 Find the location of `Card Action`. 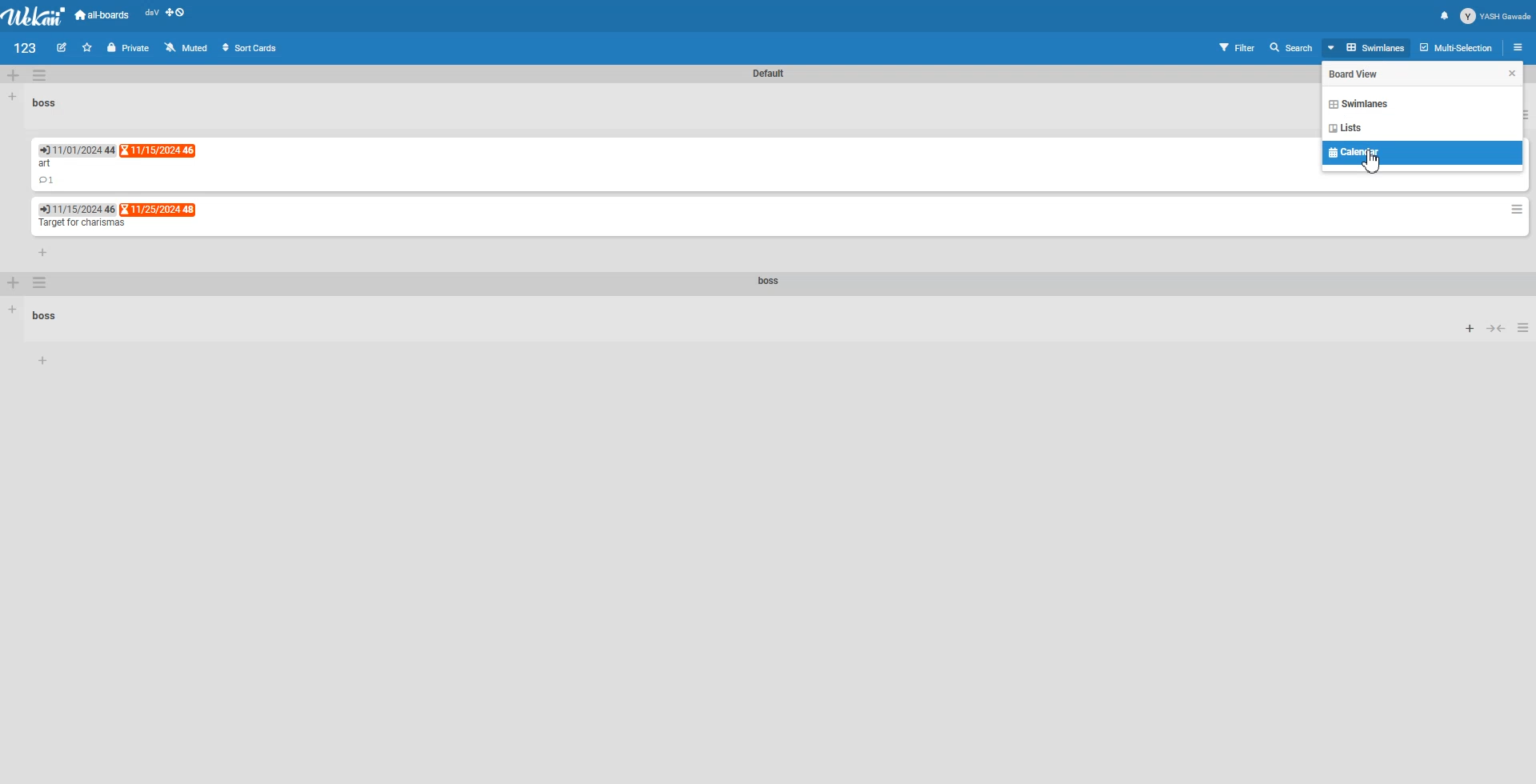

Card Action is located at coordinates (1517, 210).